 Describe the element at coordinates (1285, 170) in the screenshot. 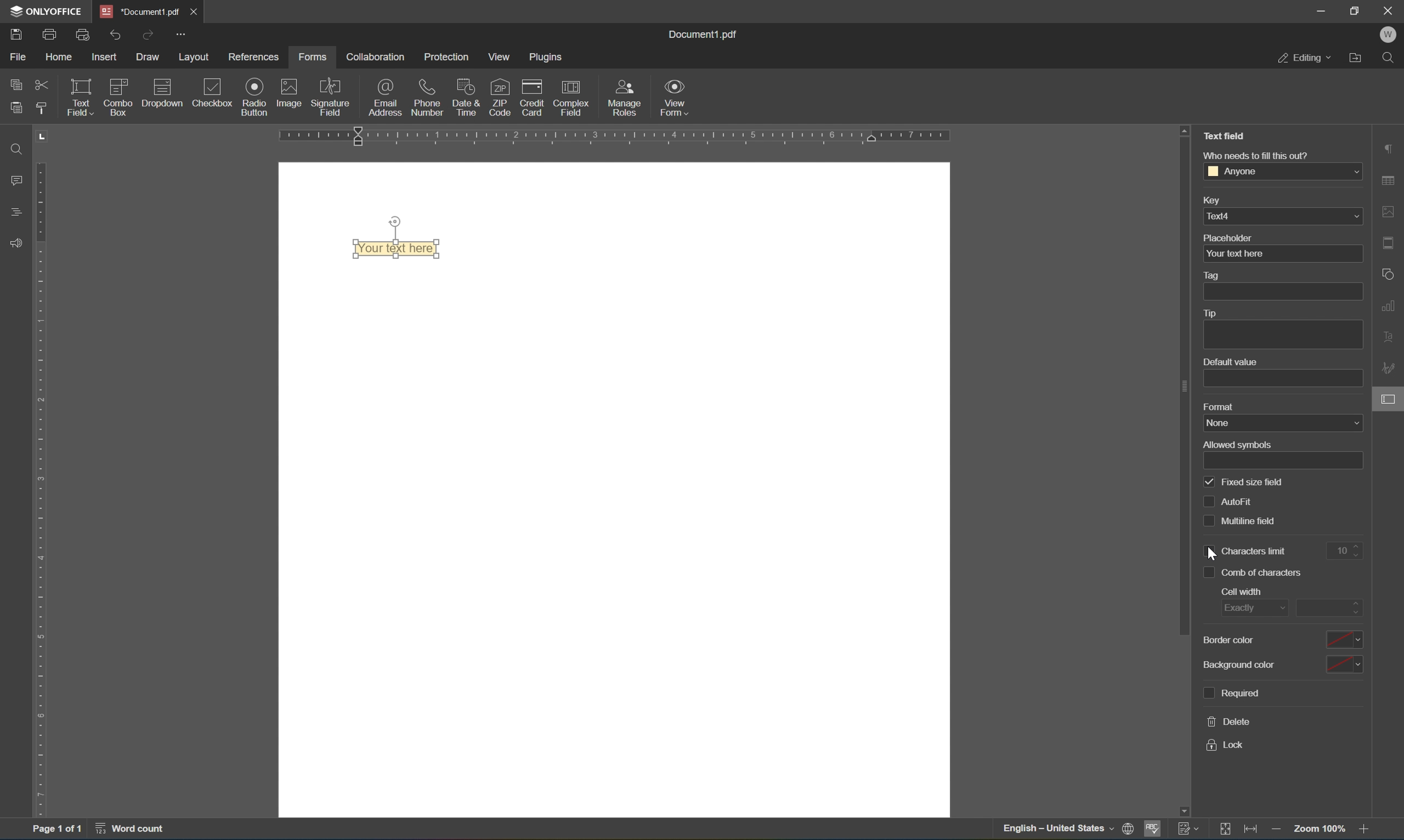

I see `anyone` at that location.